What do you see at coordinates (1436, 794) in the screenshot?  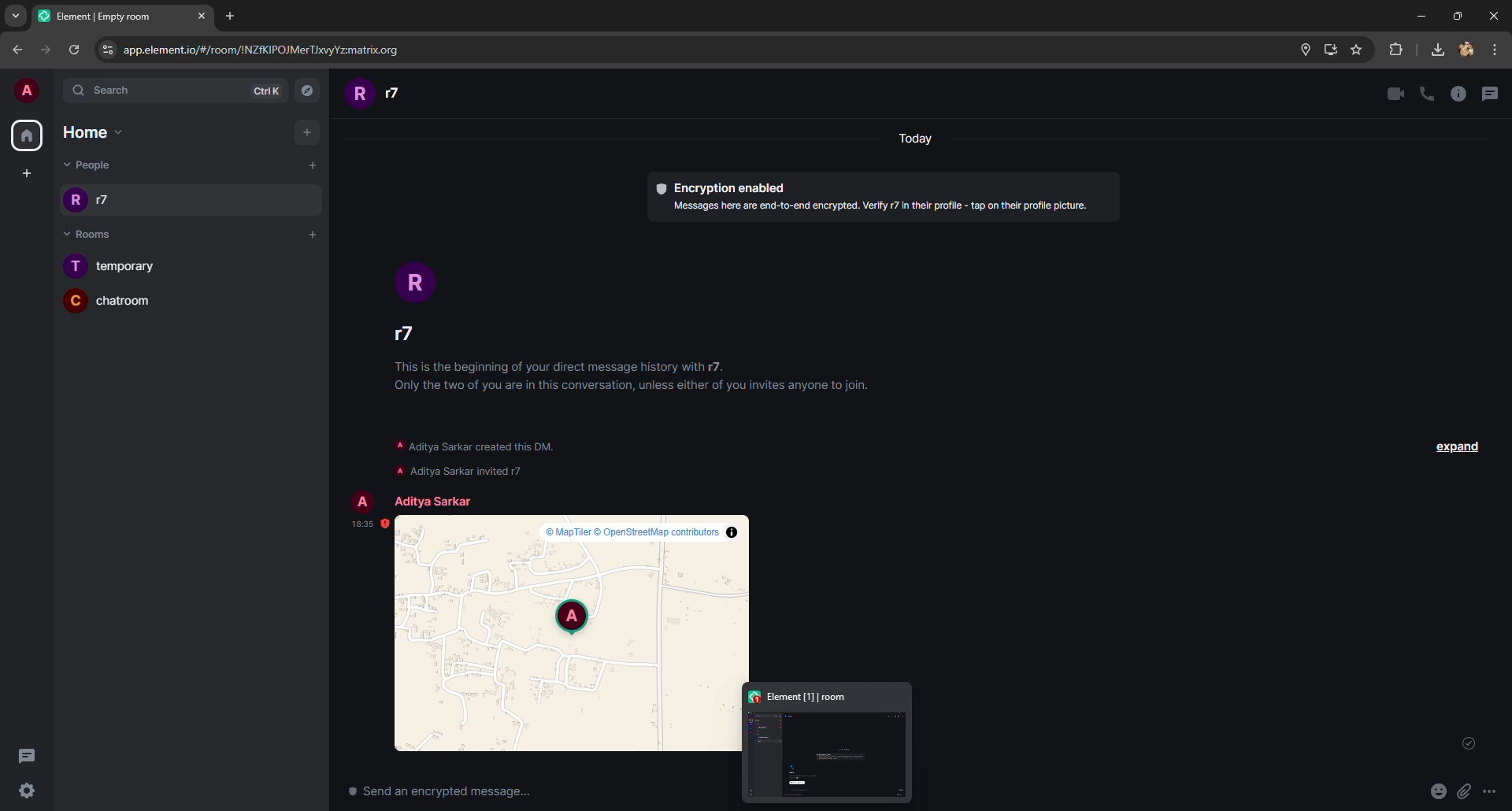 I see `emoji` at bounding box center [1436, 794].